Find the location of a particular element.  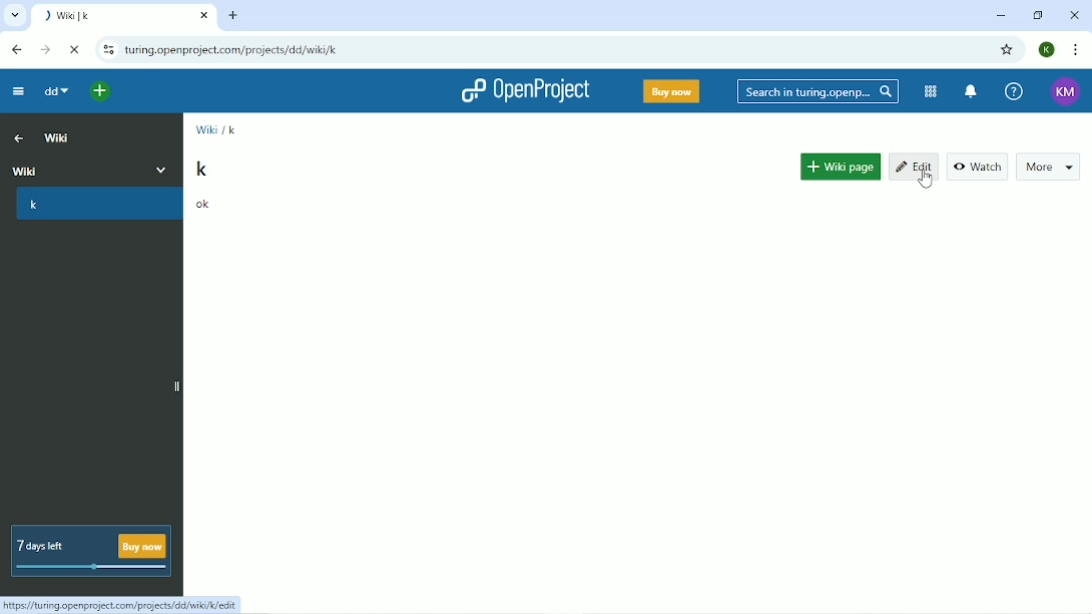

Reload this page is located at coordinates (76, 49).